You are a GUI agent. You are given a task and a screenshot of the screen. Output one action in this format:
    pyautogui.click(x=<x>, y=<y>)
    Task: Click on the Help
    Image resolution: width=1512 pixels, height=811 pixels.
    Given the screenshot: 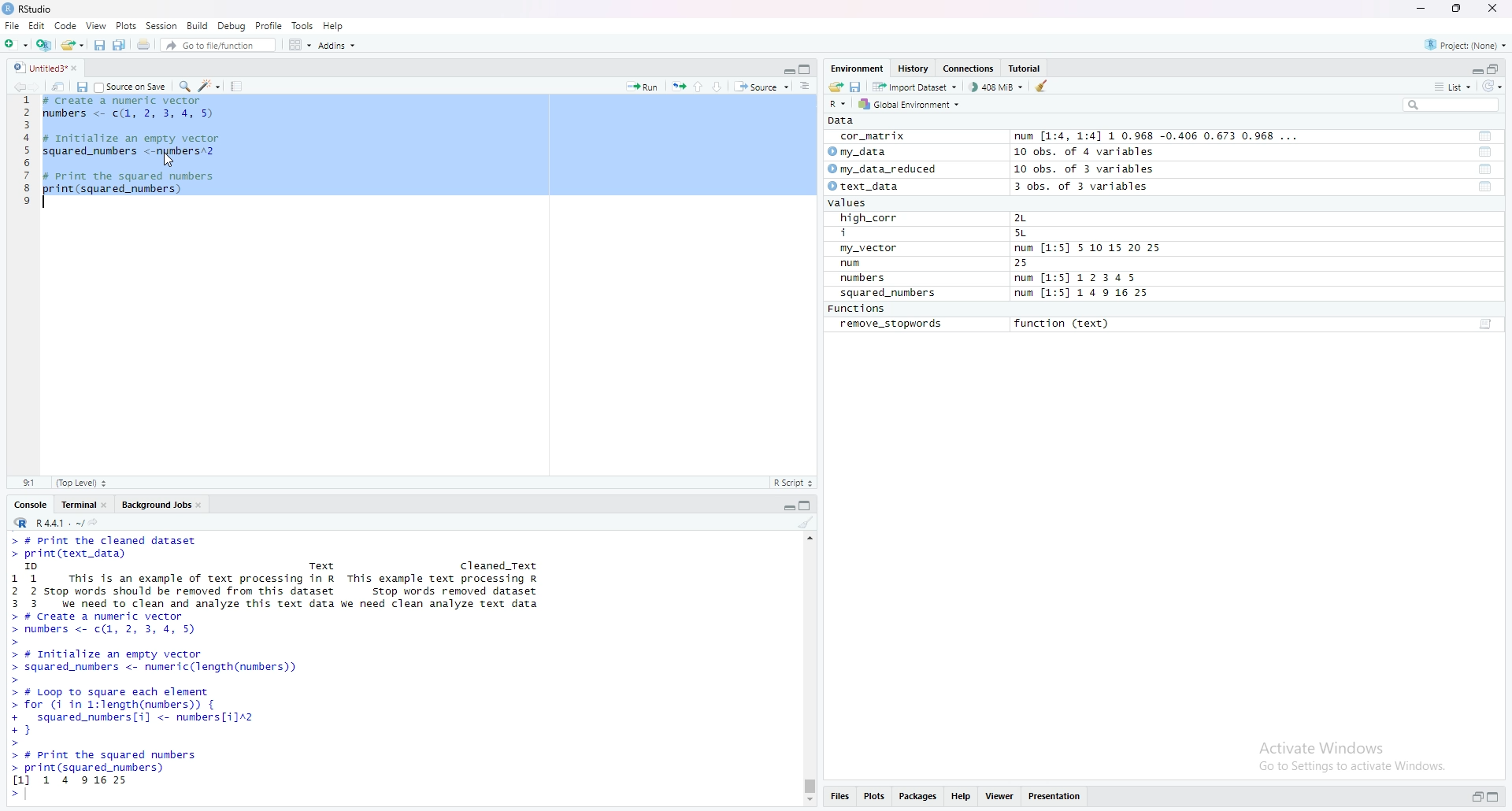 What is the action you would take?
    pyautogui.click(x=962, y=798)
    